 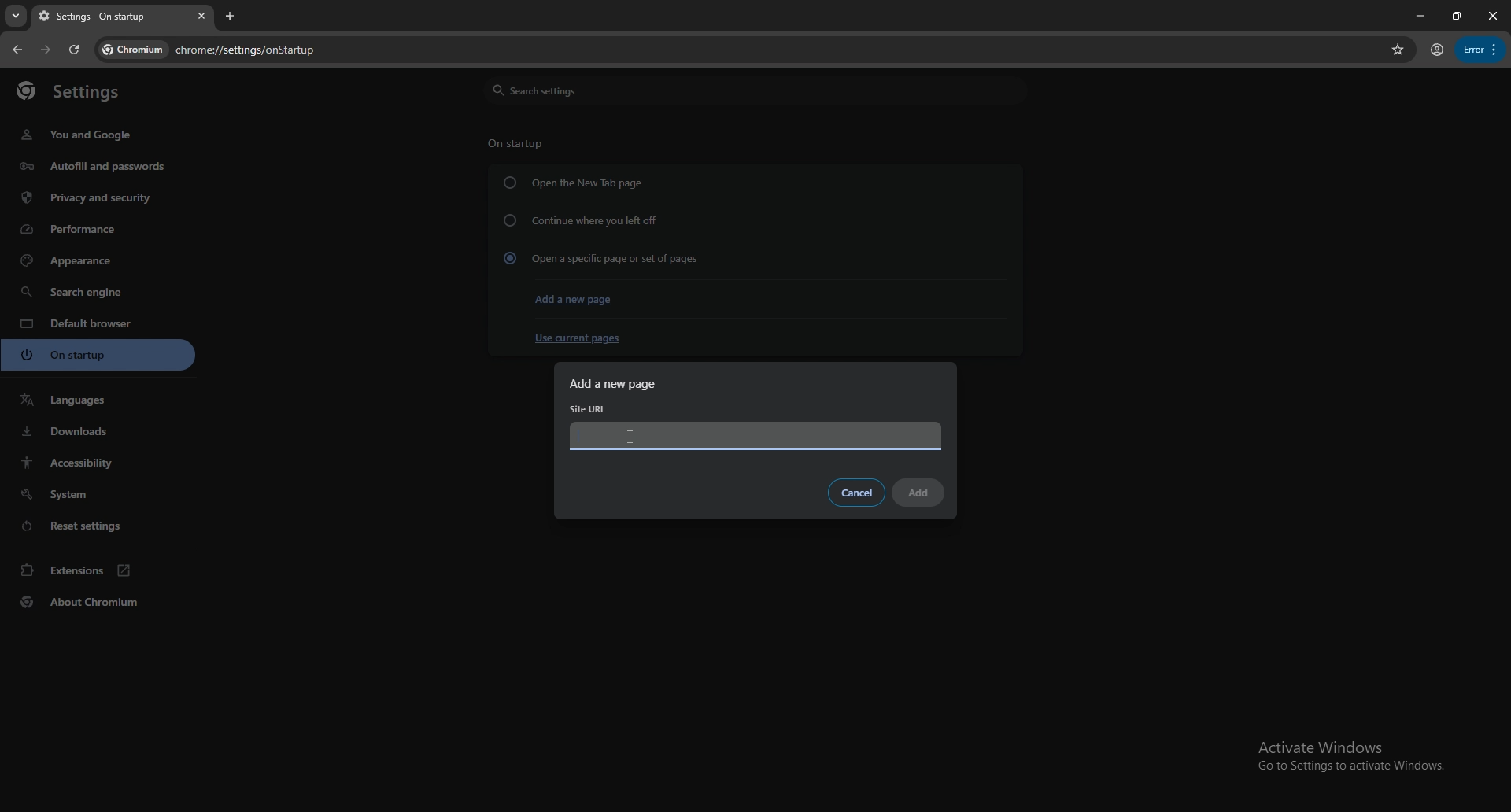 I want to click on downloads, so click(x=97, y=431).